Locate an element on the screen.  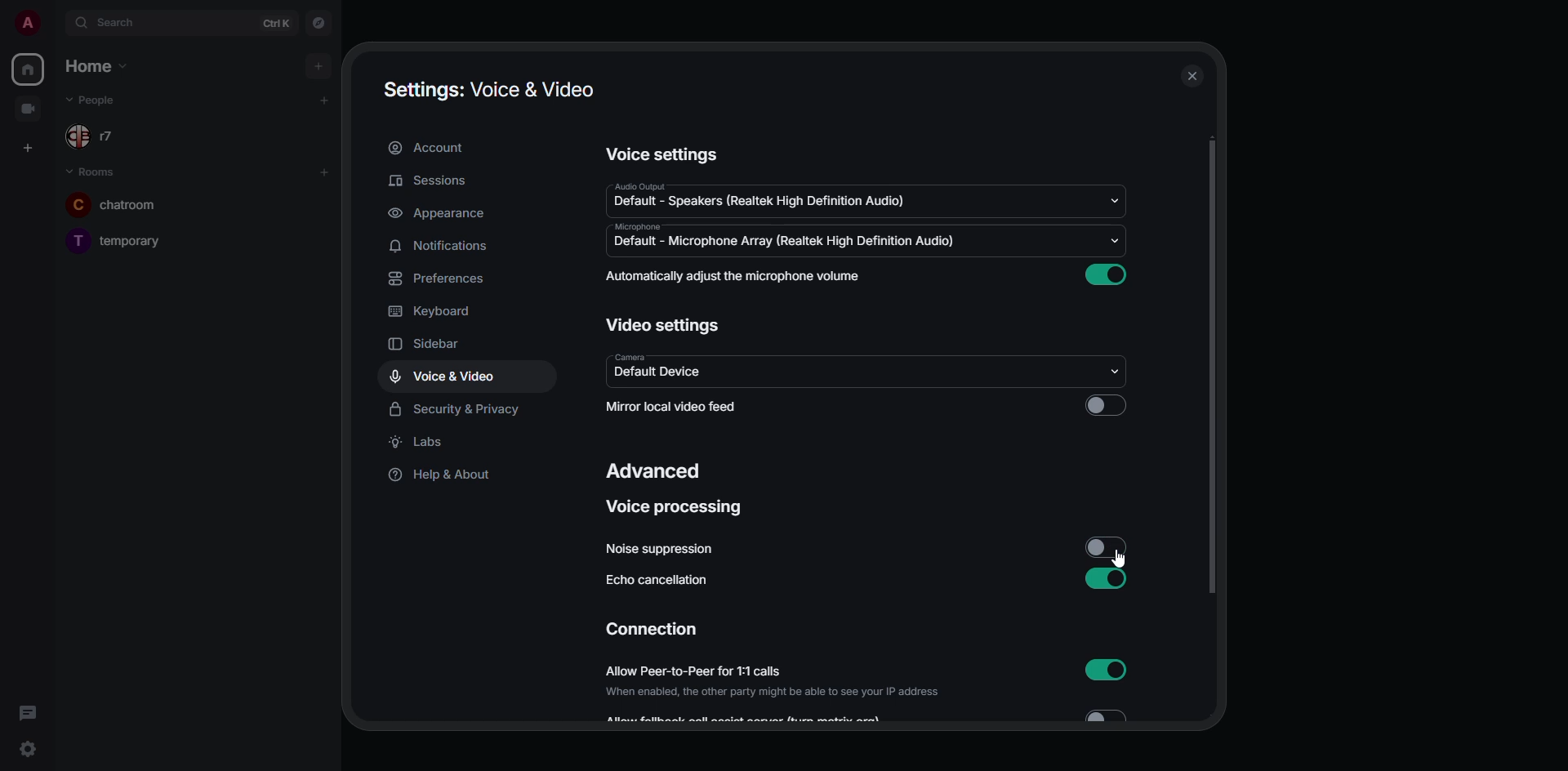
noise suppression is located at coordinates (661, 549).